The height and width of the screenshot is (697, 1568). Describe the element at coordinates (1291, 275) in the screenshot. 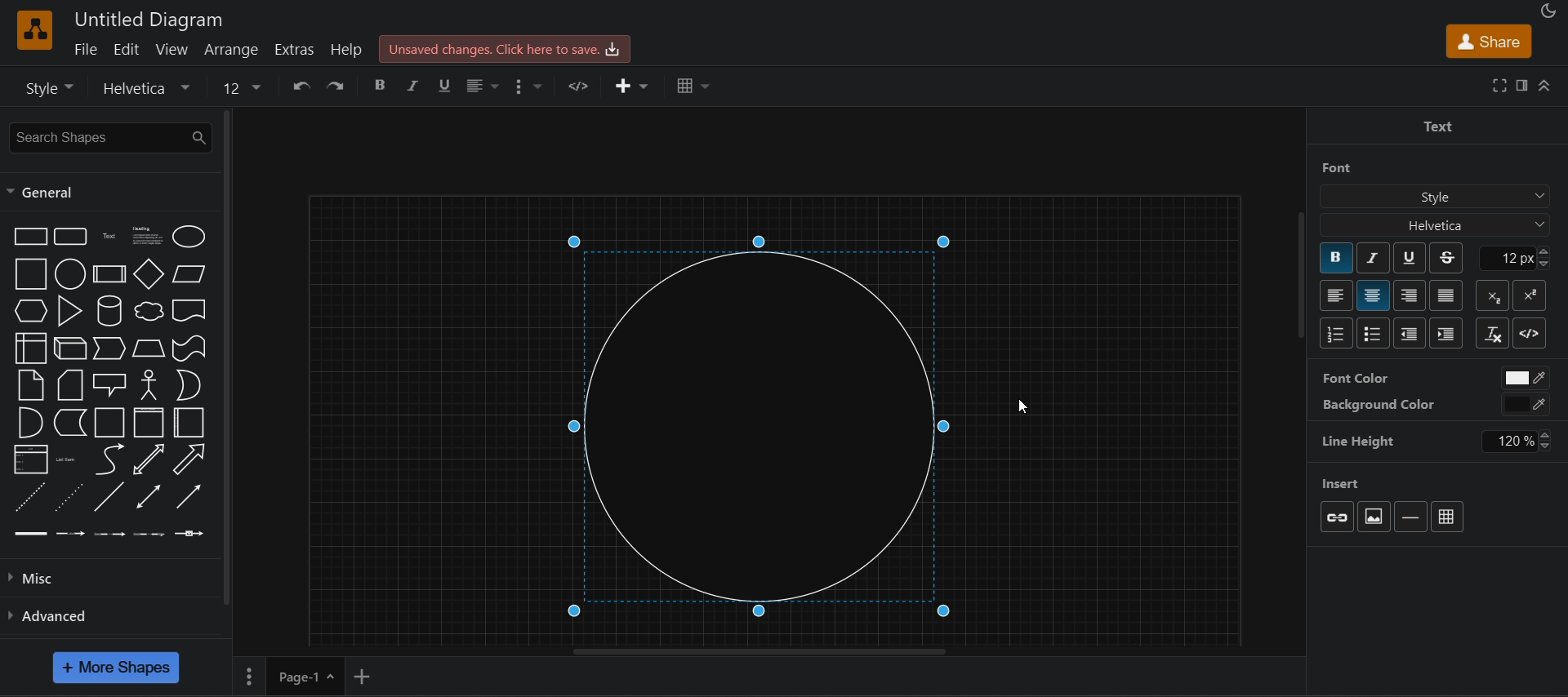

I see `vertical scroll bar` at that location.